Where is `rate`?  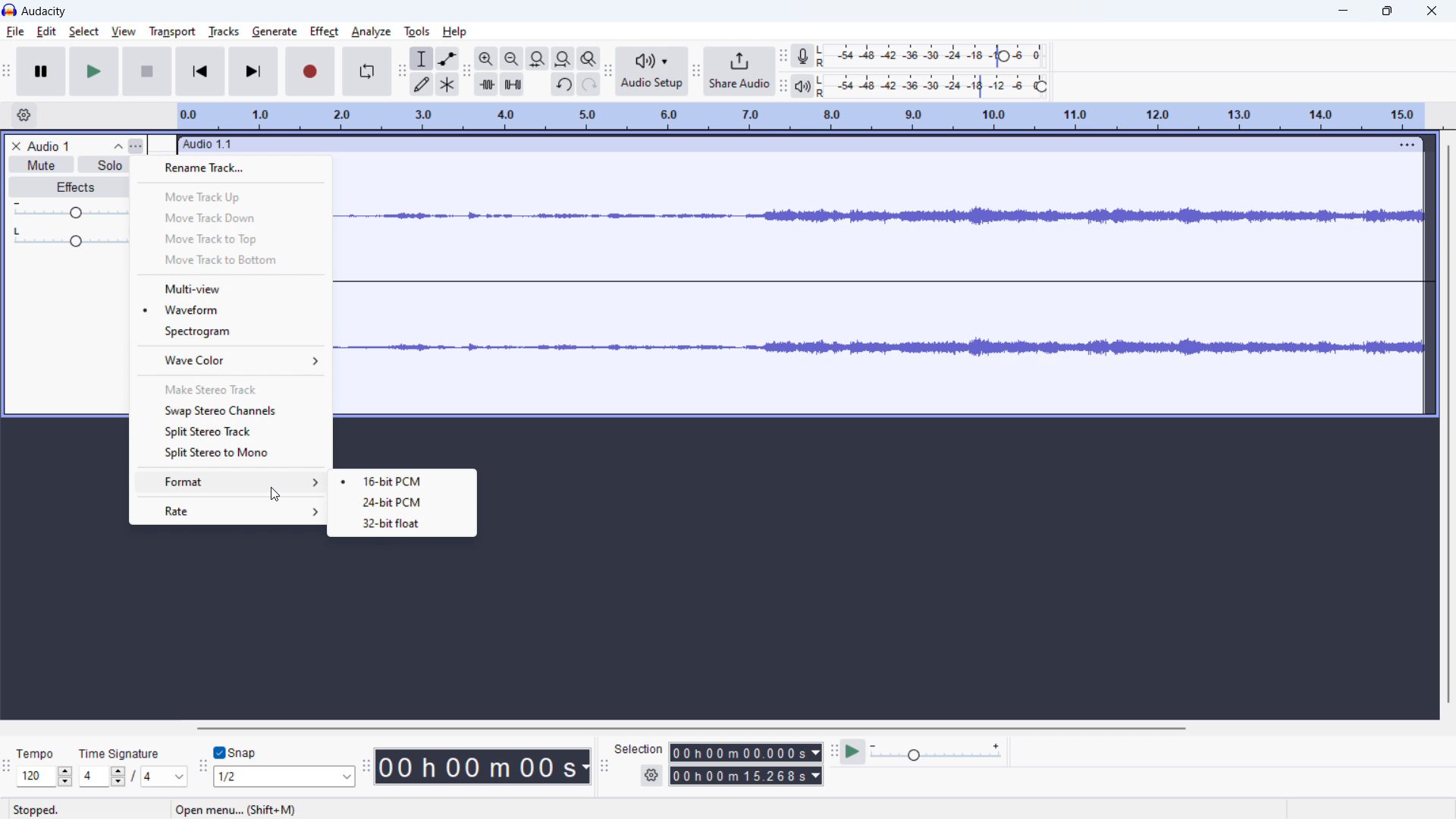 rate is located at coordinates (230, 510).